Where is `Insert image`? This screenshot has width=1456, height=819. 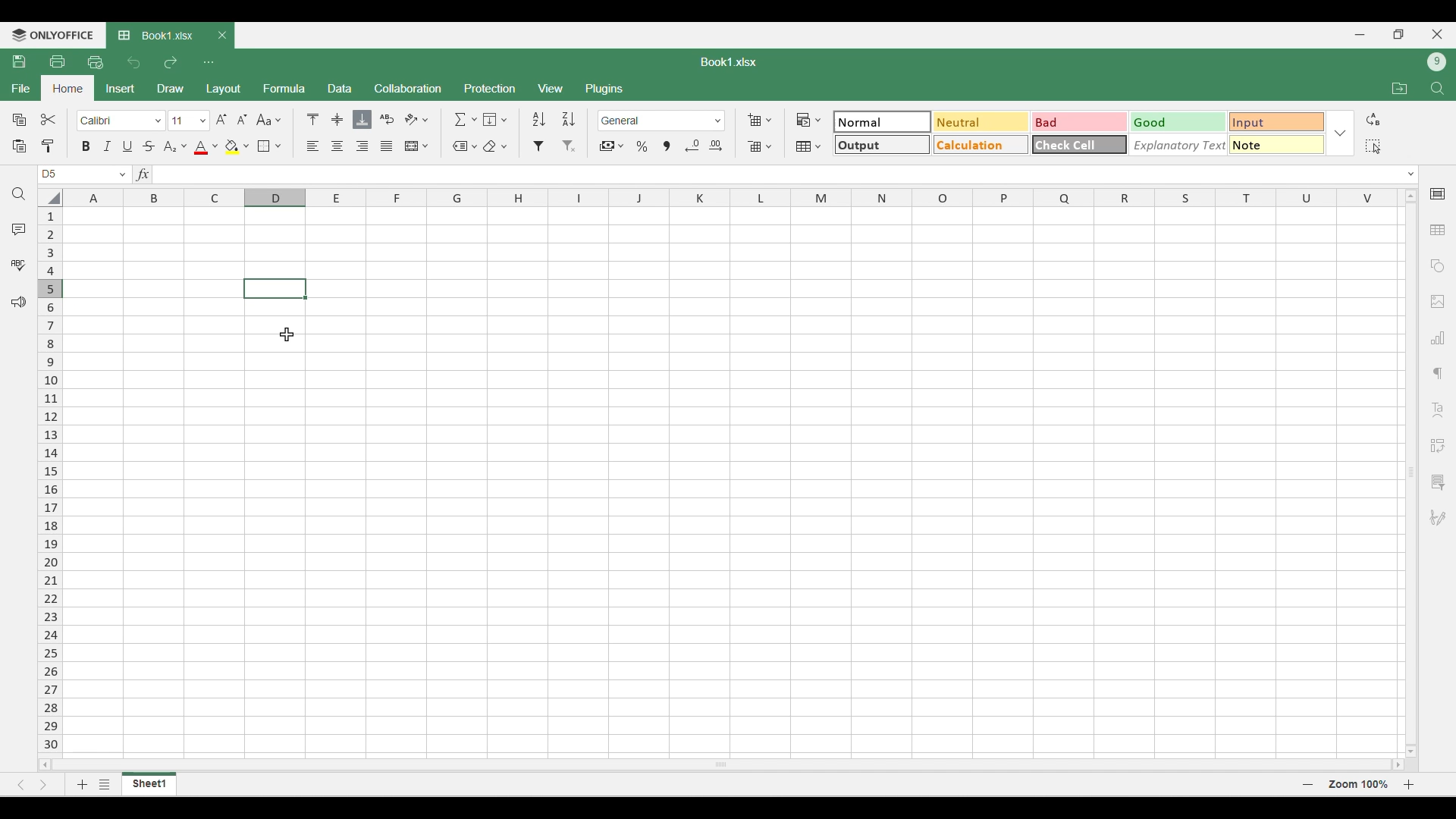 Insert image is located at coordinates (1439, 303).